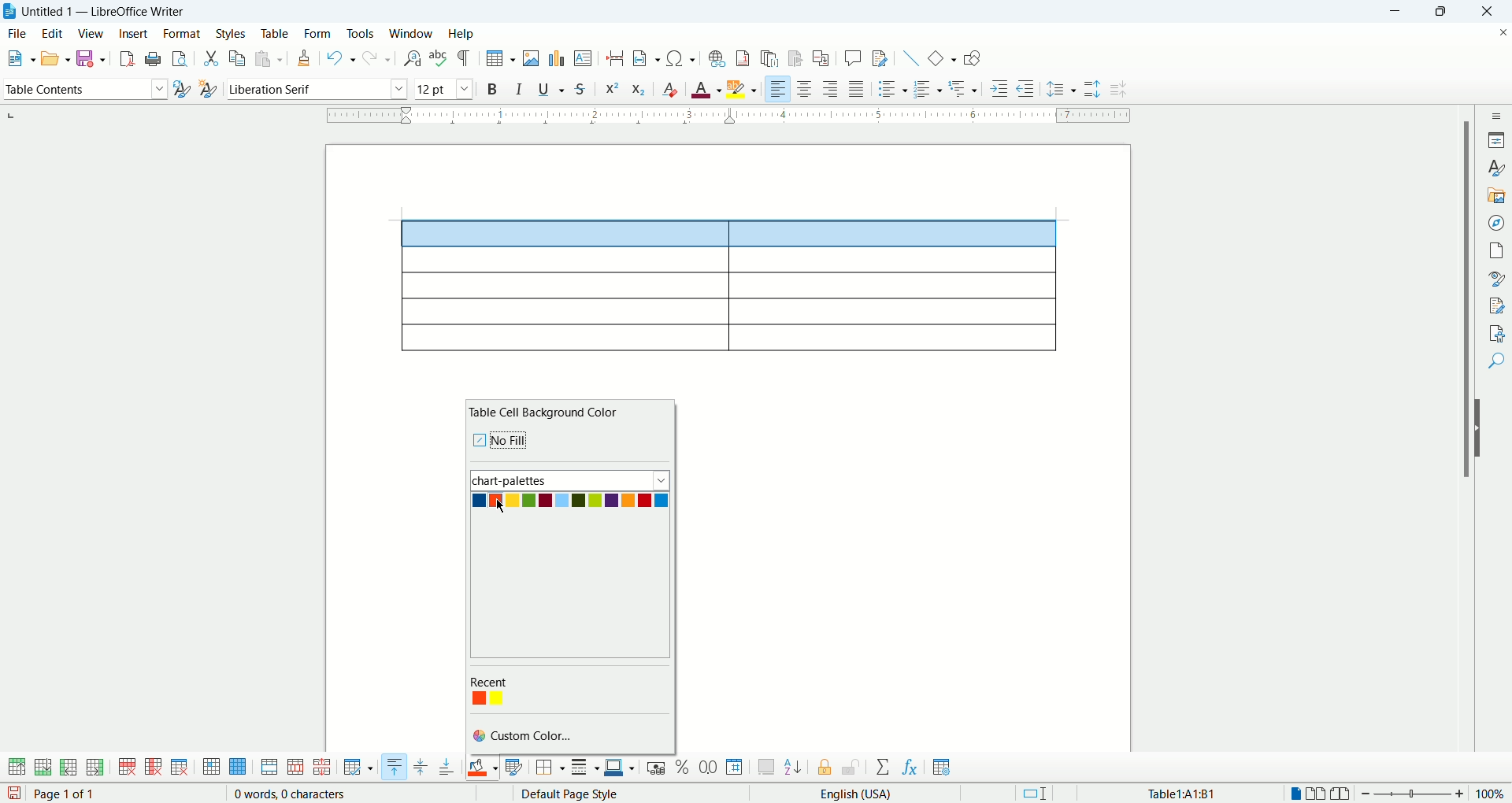 This screenshot has height=803, width=1512. I want to click on page count, so click(69, 794).